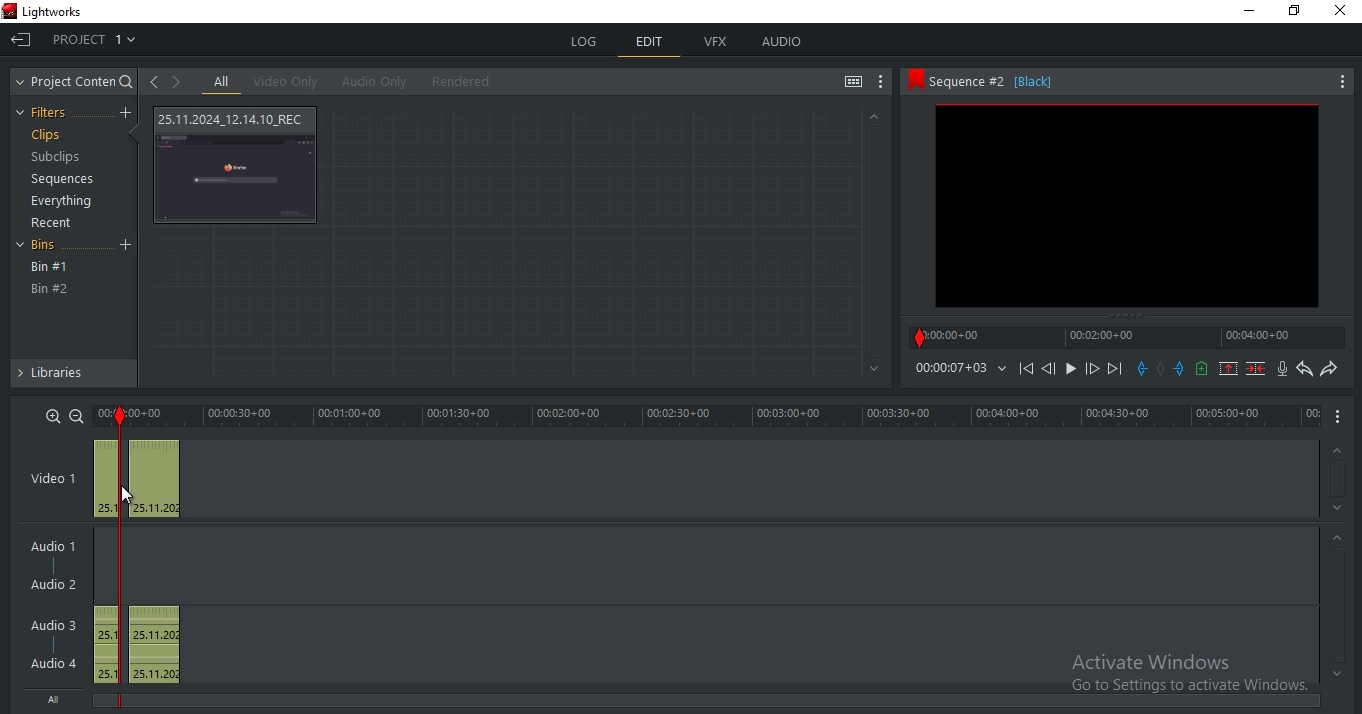 The height and width of the screenshot is (714, 1362). I want to click on , so click(176, 83).